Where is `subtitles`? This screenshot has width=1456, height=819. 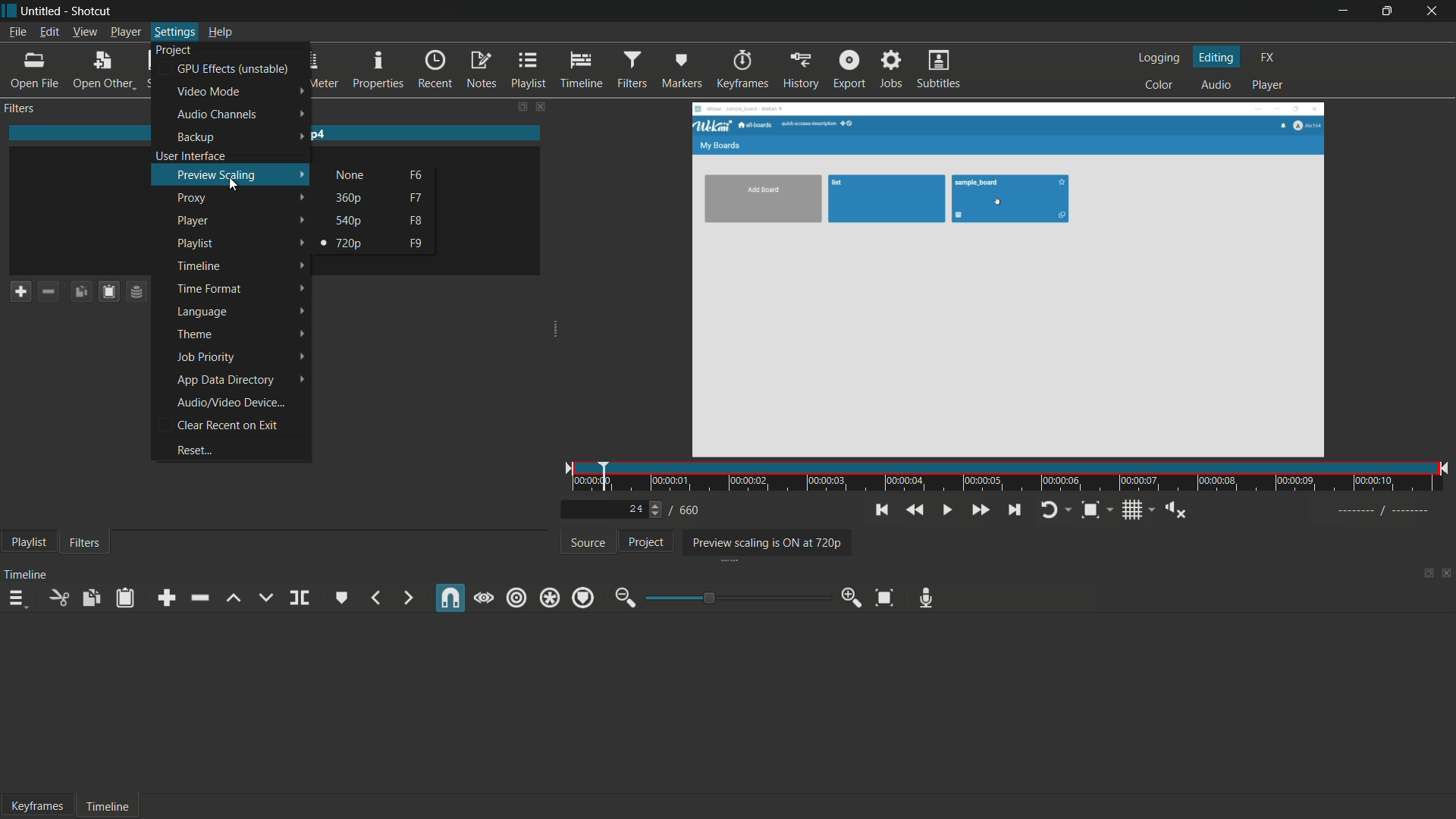
subtitles is located at coordinates (939, 71).